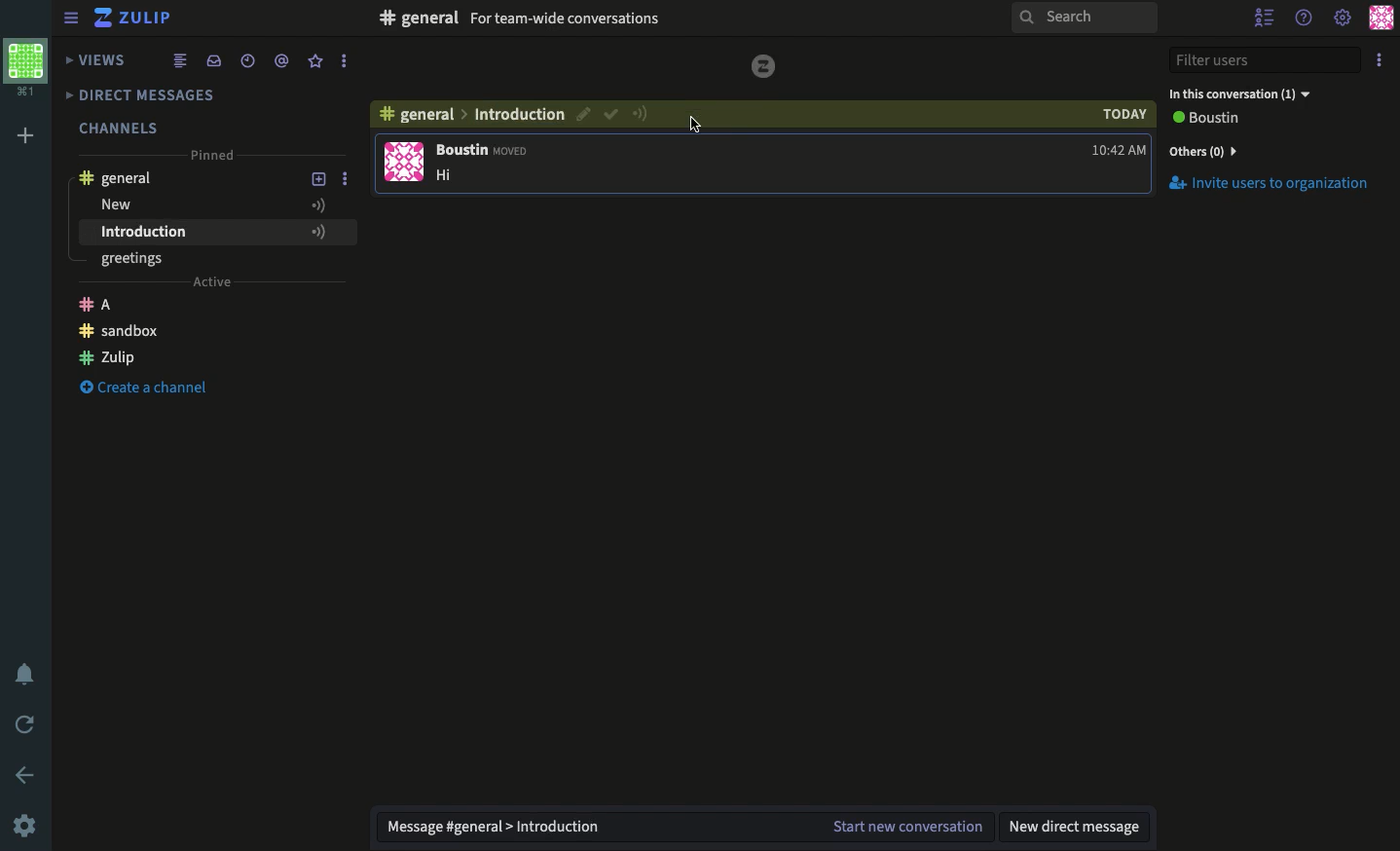  Describe the element at coordinates (348, 63) in the screenshot. I see `More Options` at that location.